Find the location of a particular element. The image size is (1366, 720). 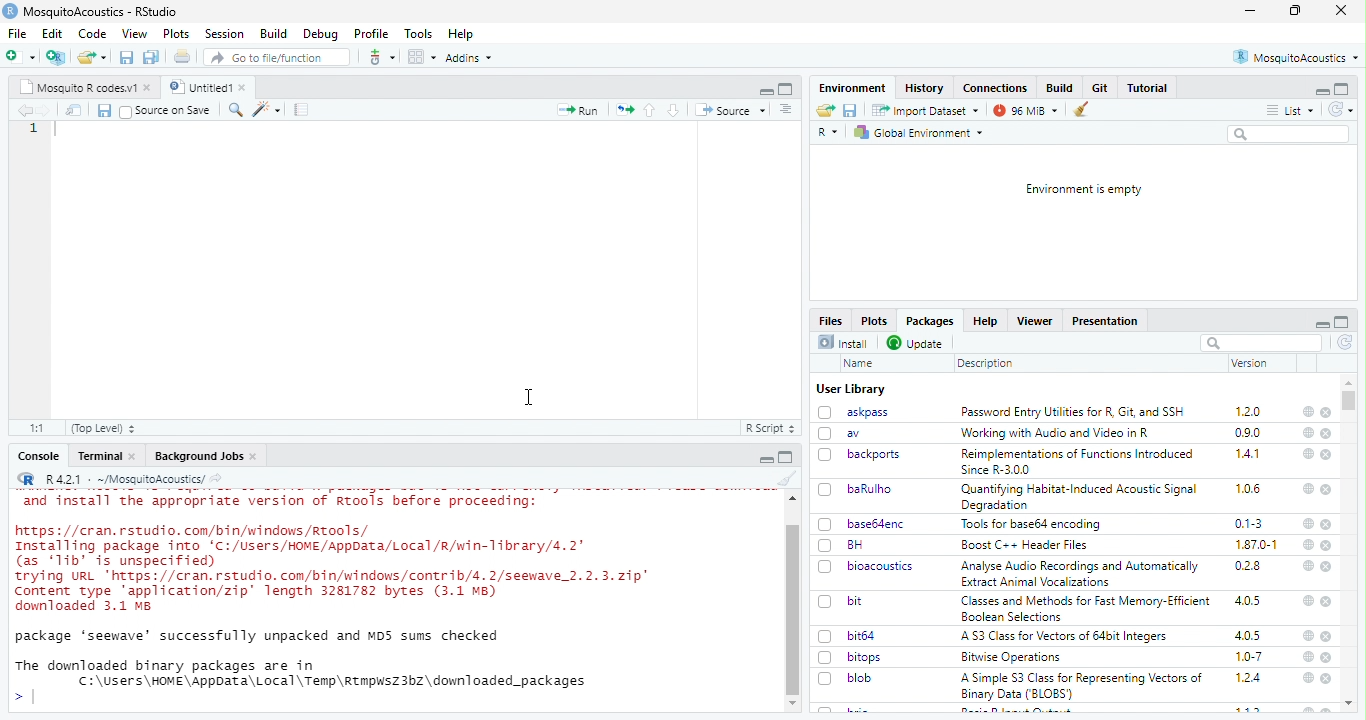

124 is located at coordinates (1249, 678).